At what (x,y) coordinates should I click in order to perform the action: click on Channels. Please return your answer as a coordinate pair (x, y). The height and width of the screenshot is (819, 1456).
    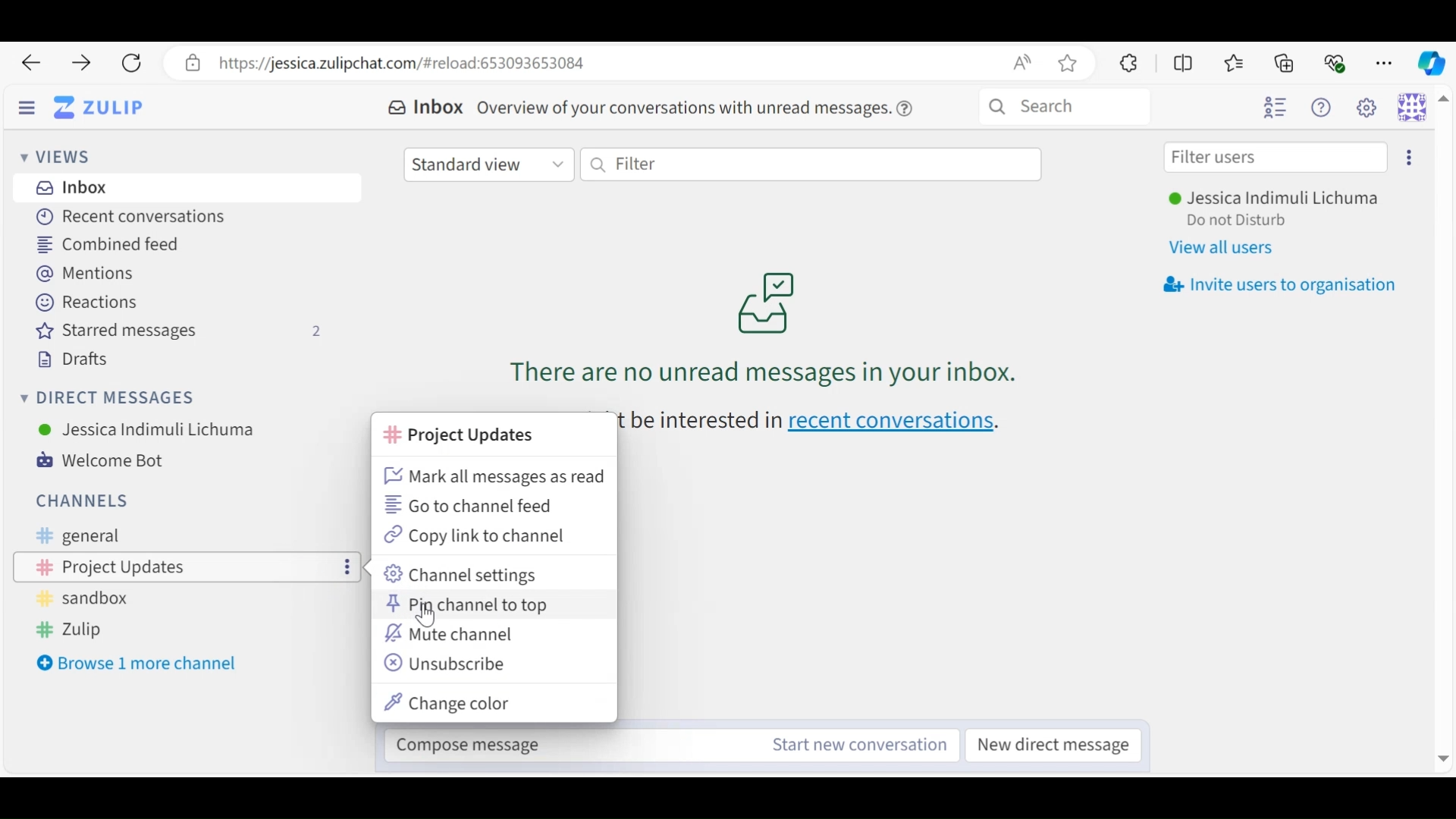
    Looking at the image, I should click on (80, 499).